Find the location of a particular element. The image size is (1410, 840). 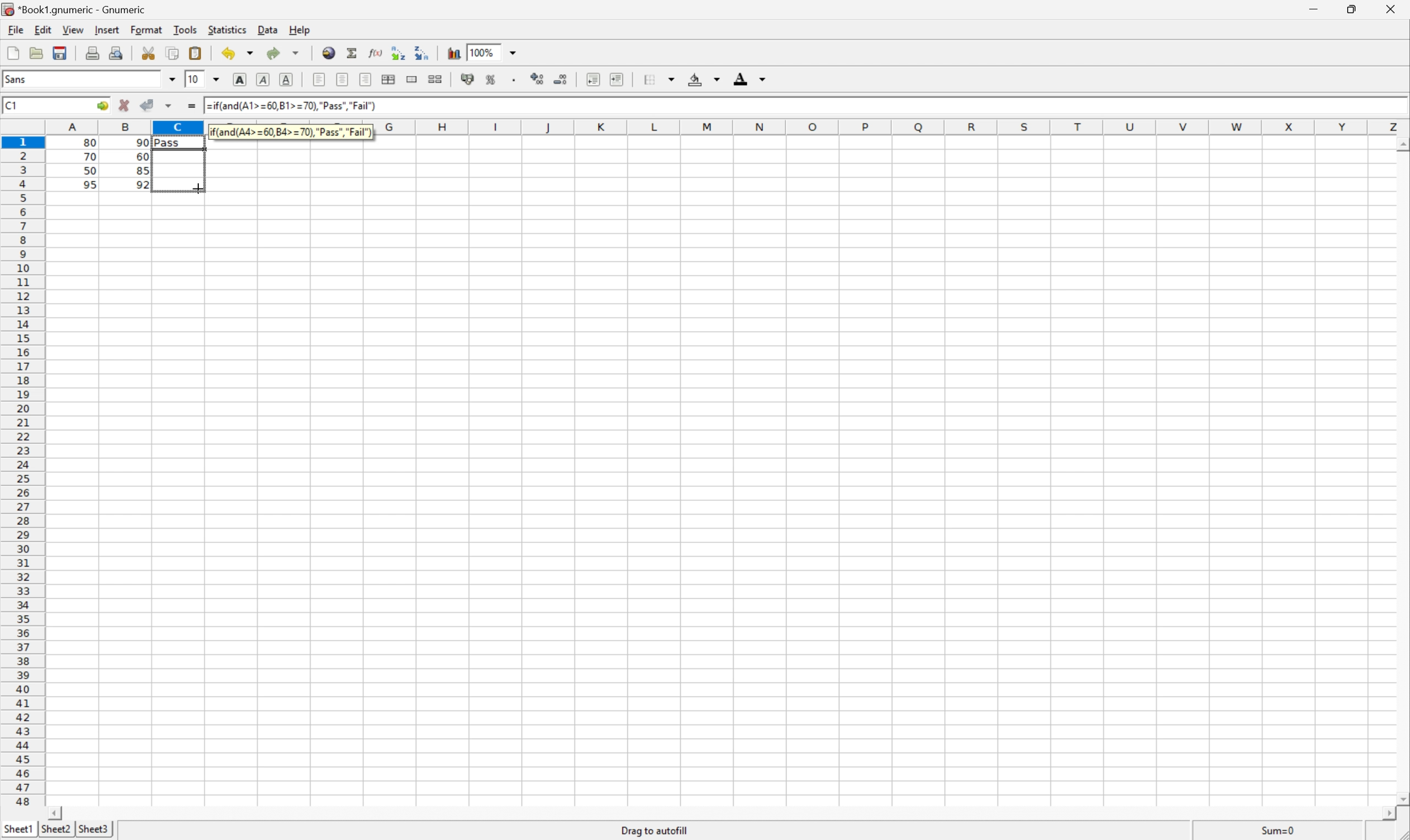

=if(and(A1>=60,B1>=70),"Pass","Fail") is located at coordinates (300, 106).